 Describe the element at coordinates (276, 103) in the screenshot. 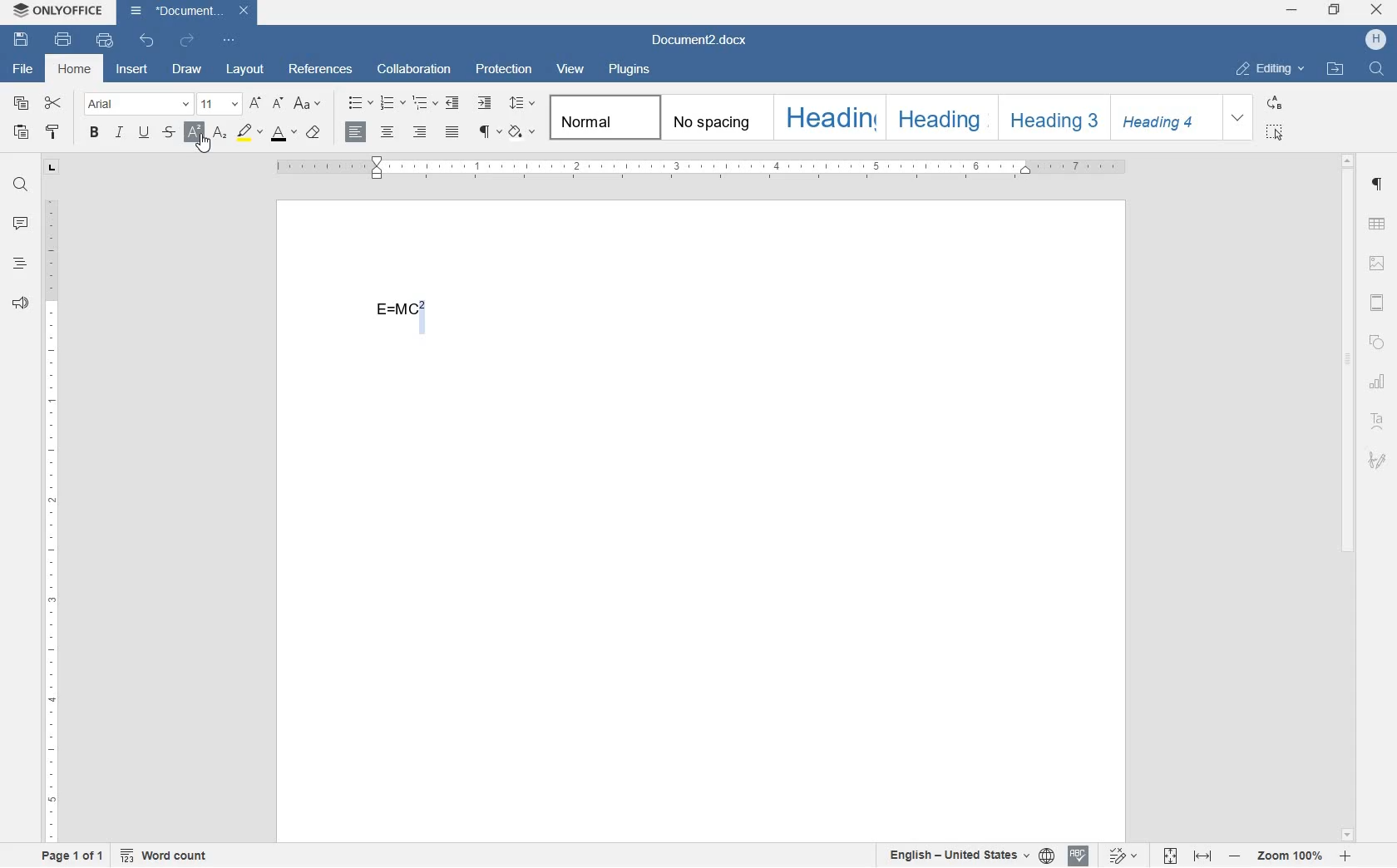

I see `decrement font size` at that location.